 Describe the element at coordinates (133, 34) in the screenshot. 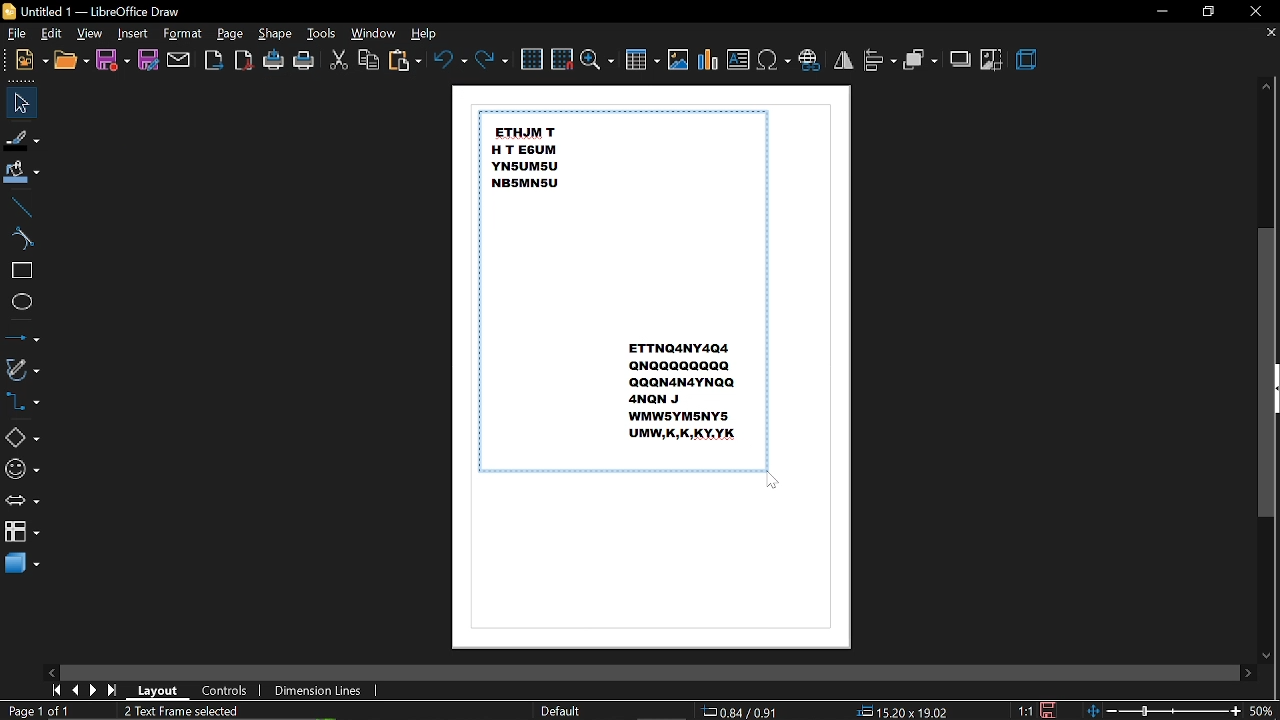

I see `insert` at that location.